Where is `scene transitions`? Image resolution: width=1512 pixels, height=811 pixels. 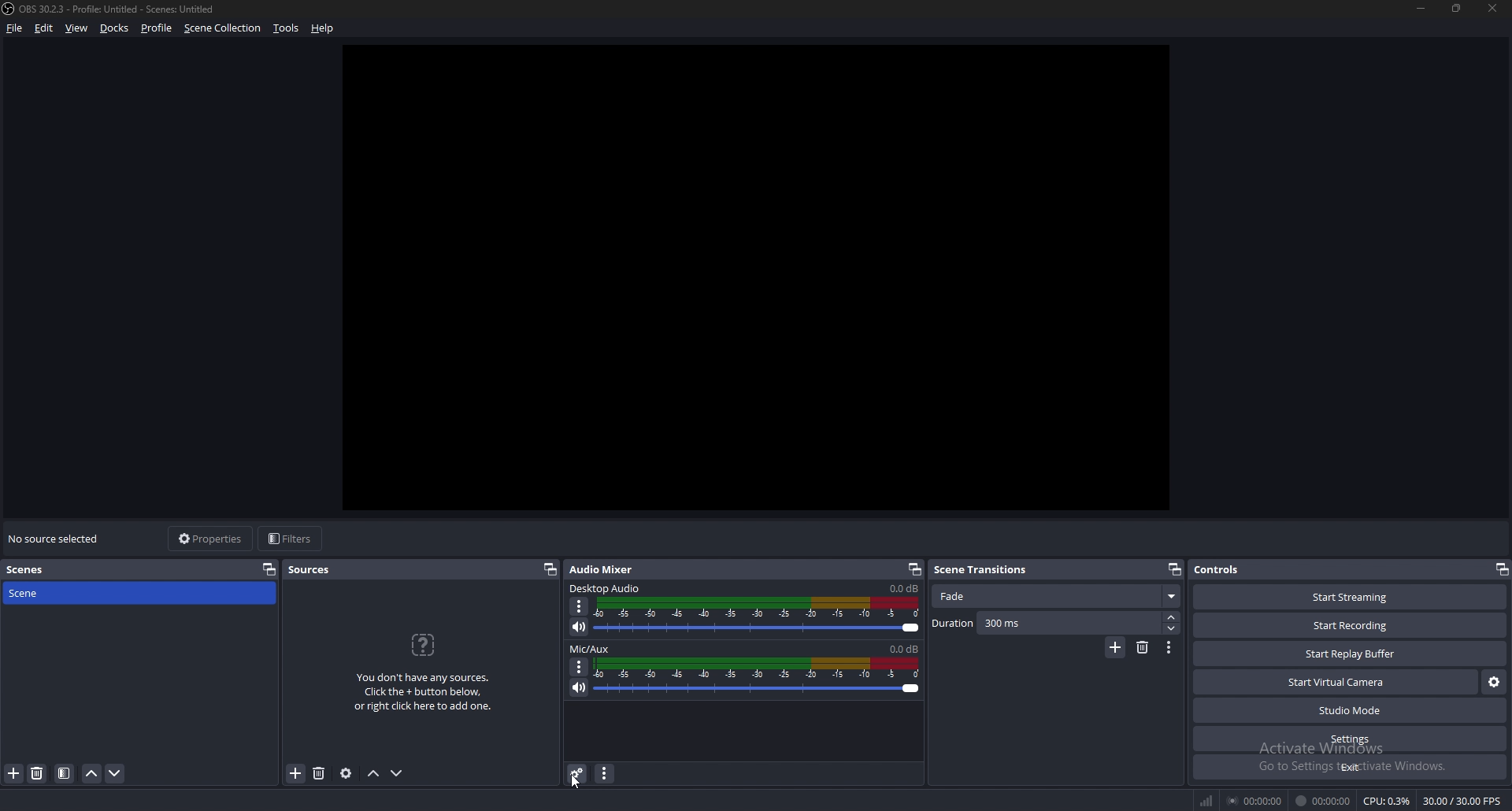
scene transitions is located at coordinates (983, 569).